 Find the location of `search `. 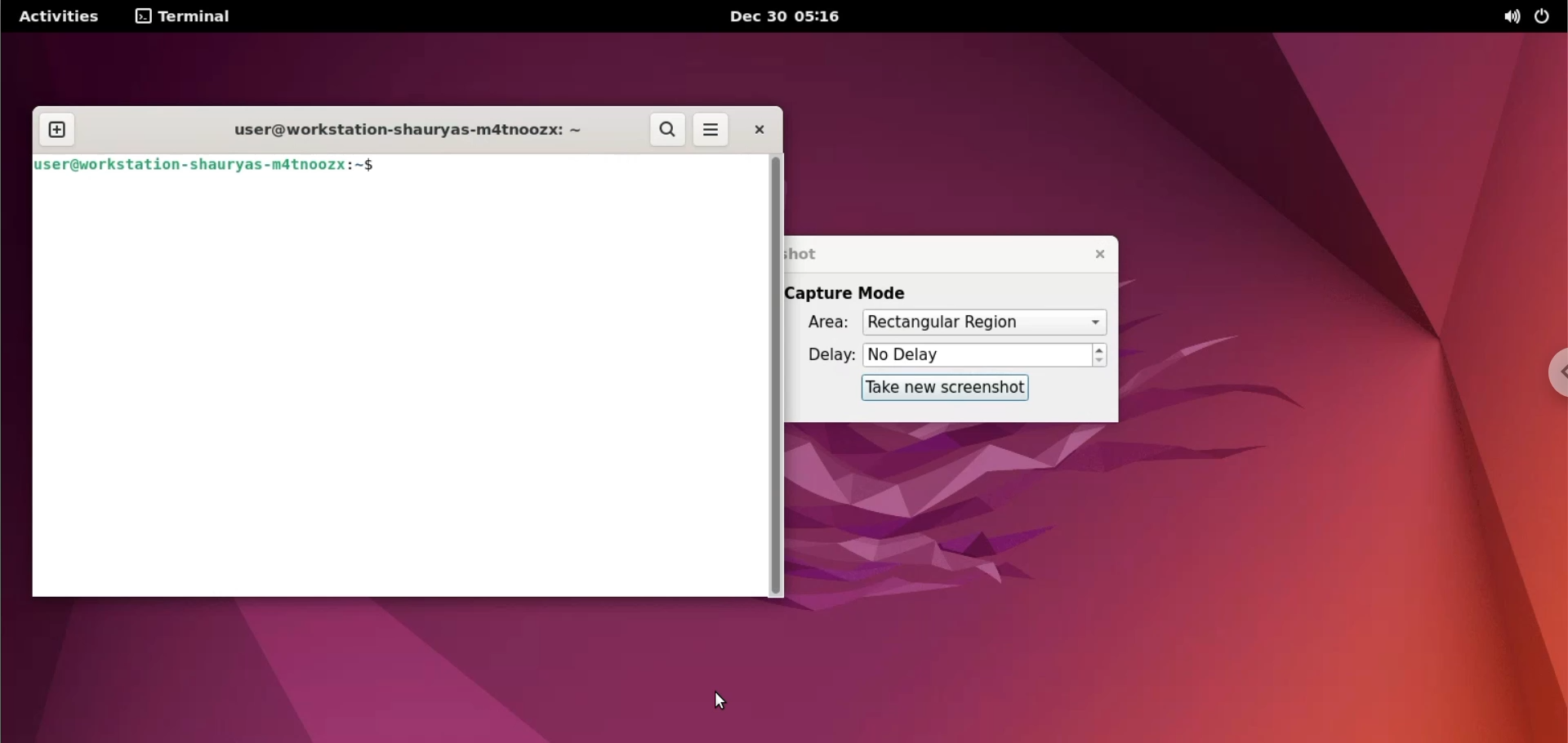

search  is located at coordinates (667, 130).